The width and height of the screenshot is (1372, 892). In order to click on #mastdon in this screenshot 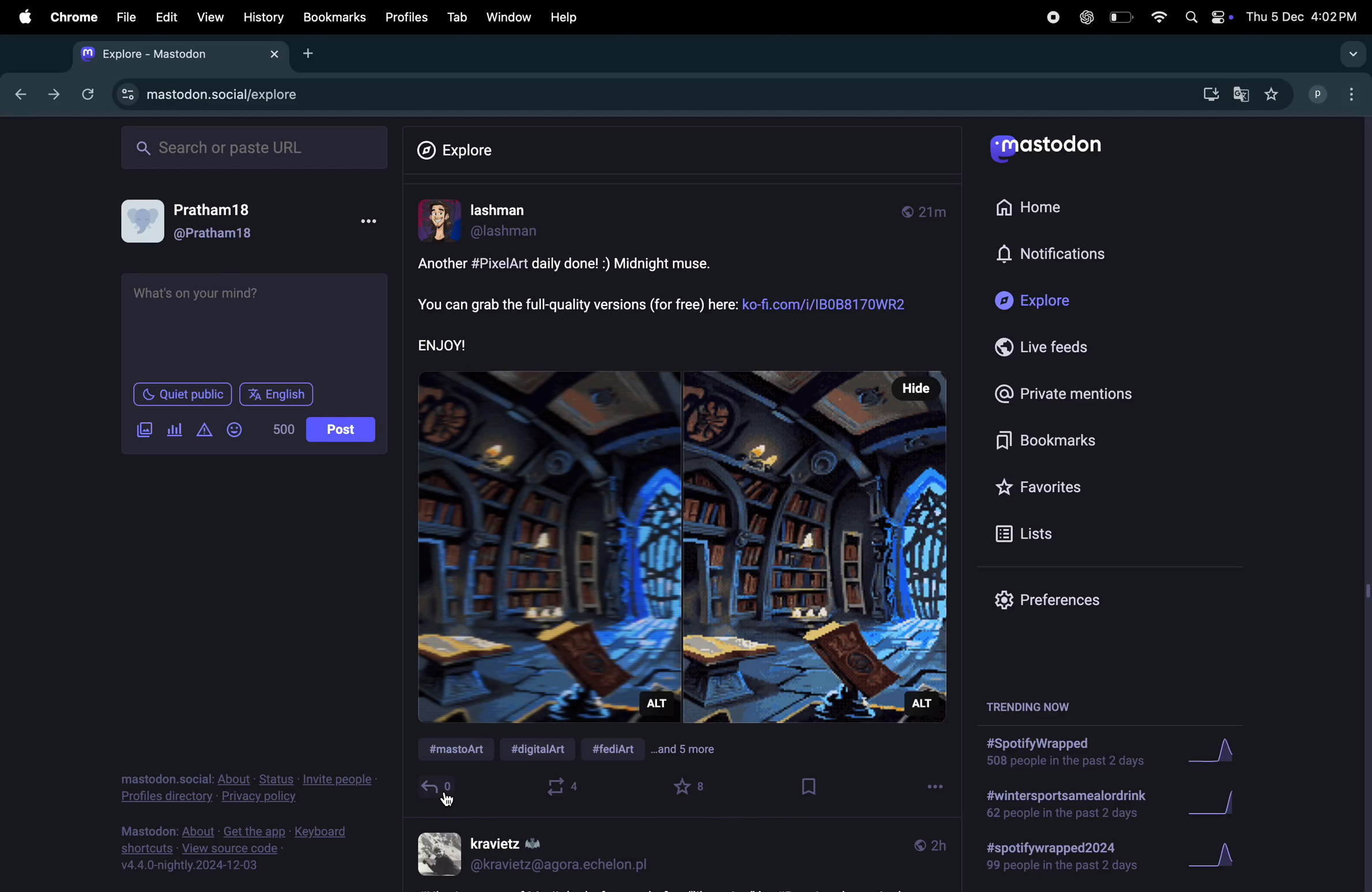, I will do `click(458, 751)`.